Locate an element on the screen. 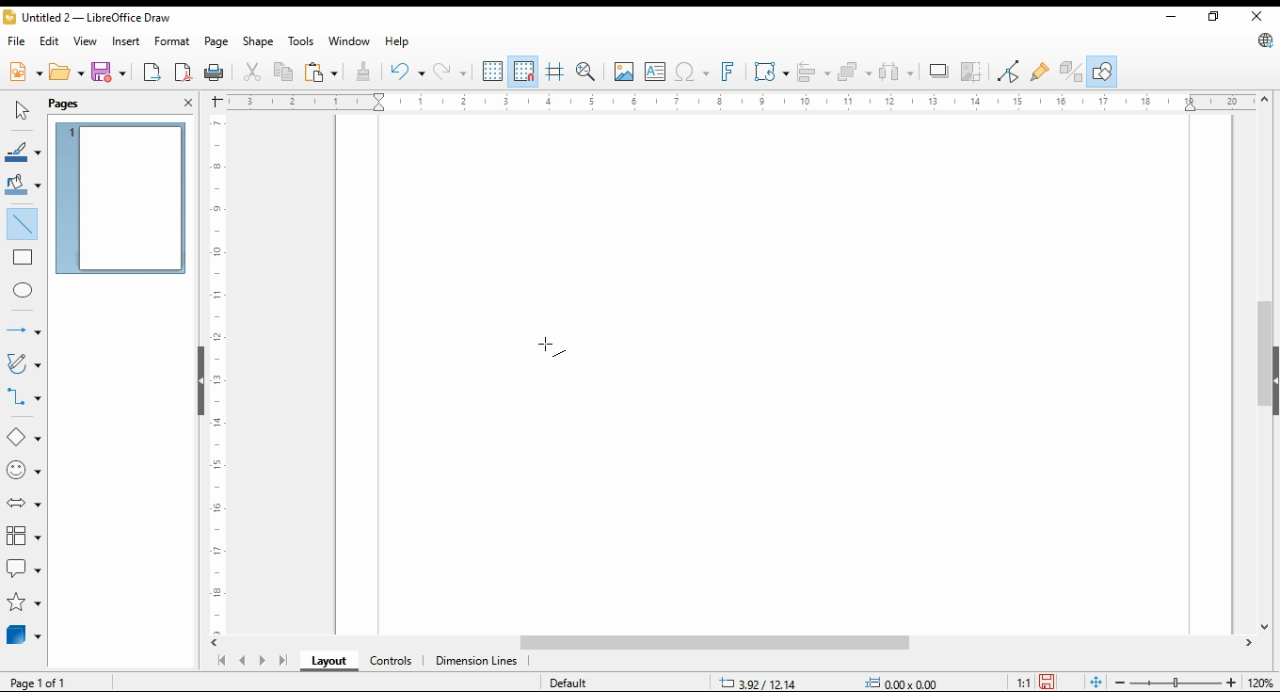 This screenshot has width=1280, height=692. curves and polygons is located at coordinates (22, 365).